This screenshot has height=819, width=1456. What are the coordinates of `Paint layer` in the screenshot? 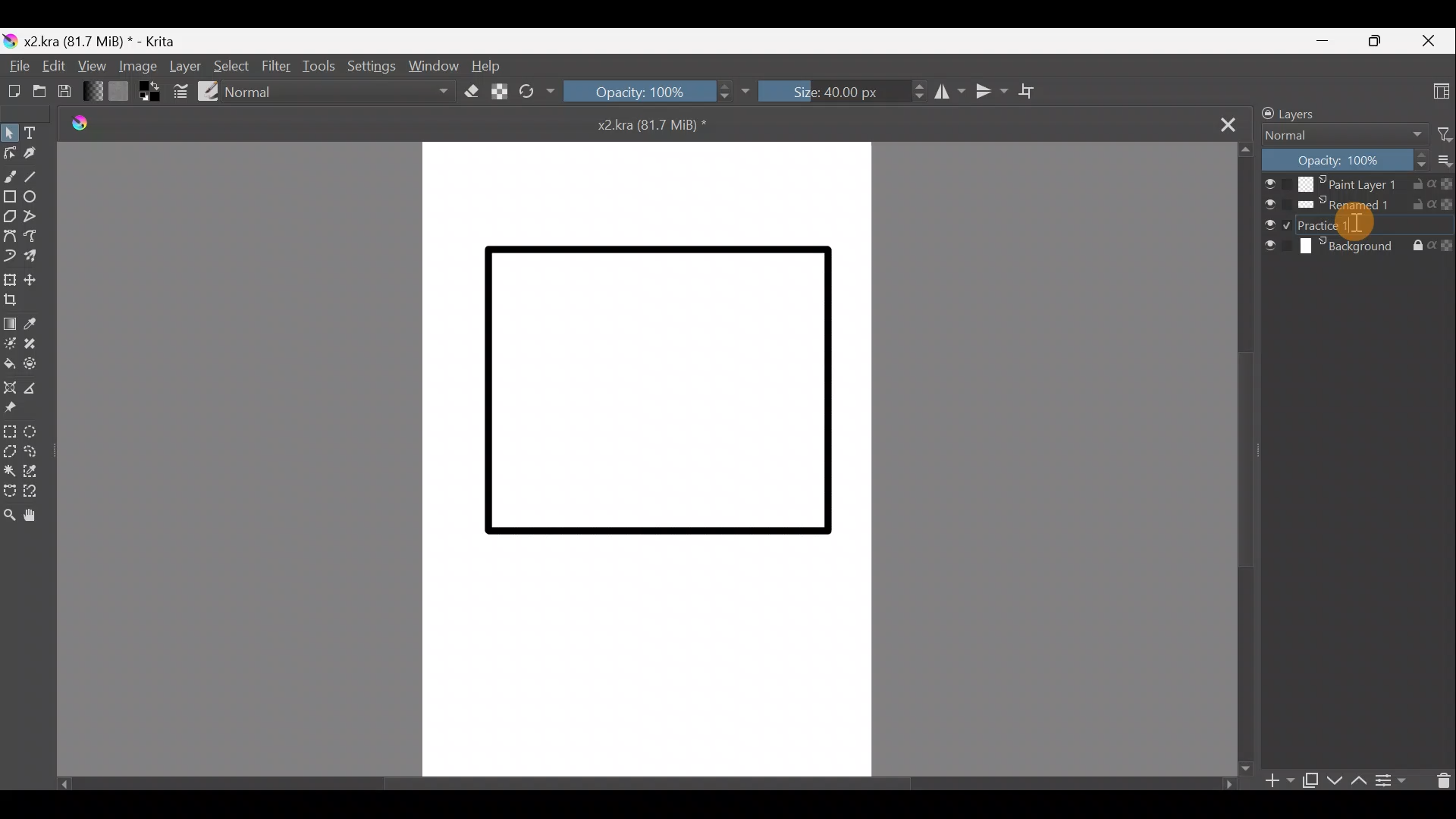 It's located at (1359, 224).